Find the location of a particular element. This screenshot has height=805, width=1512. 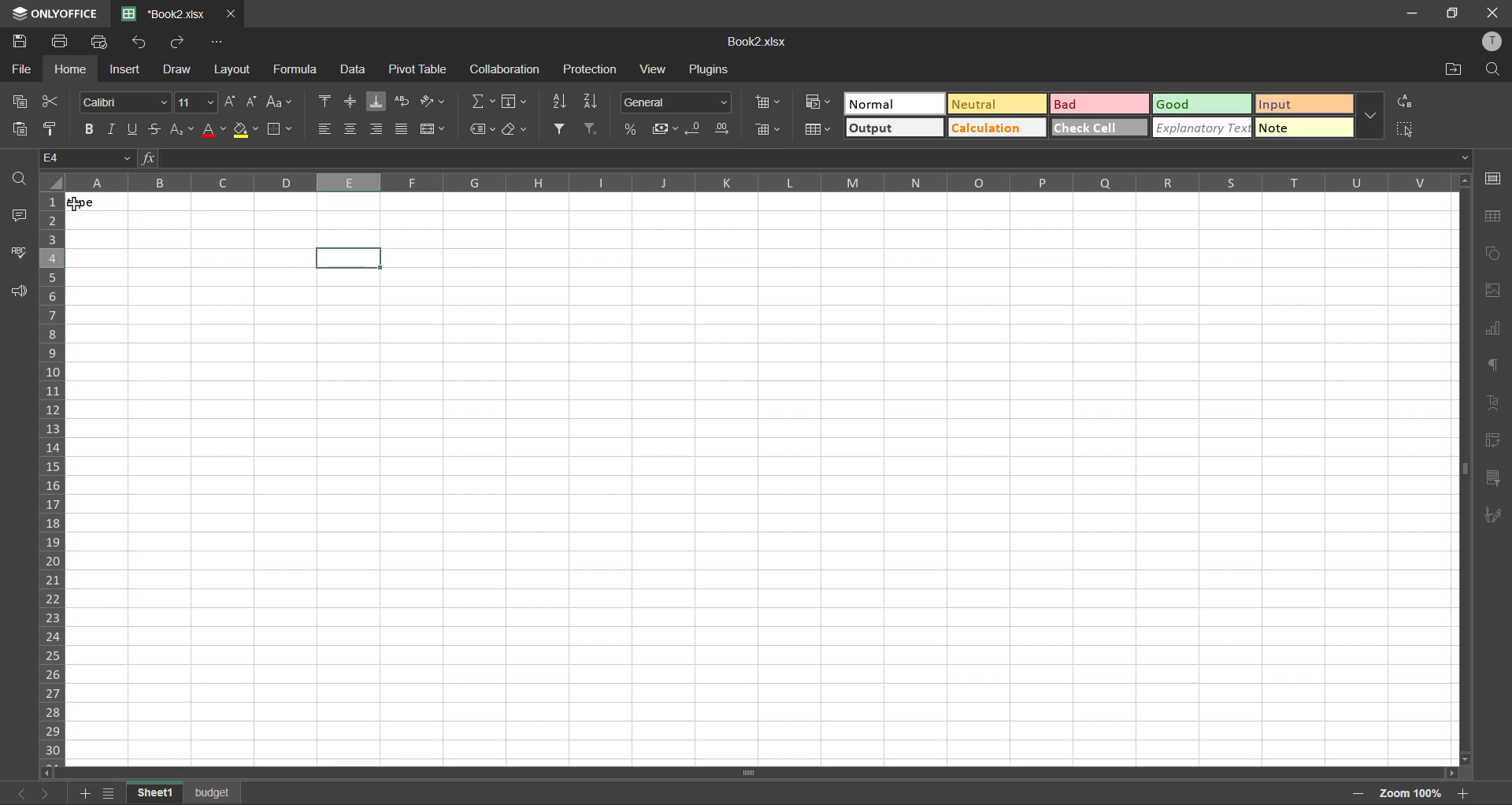

view is located at coordinates (652, 69).